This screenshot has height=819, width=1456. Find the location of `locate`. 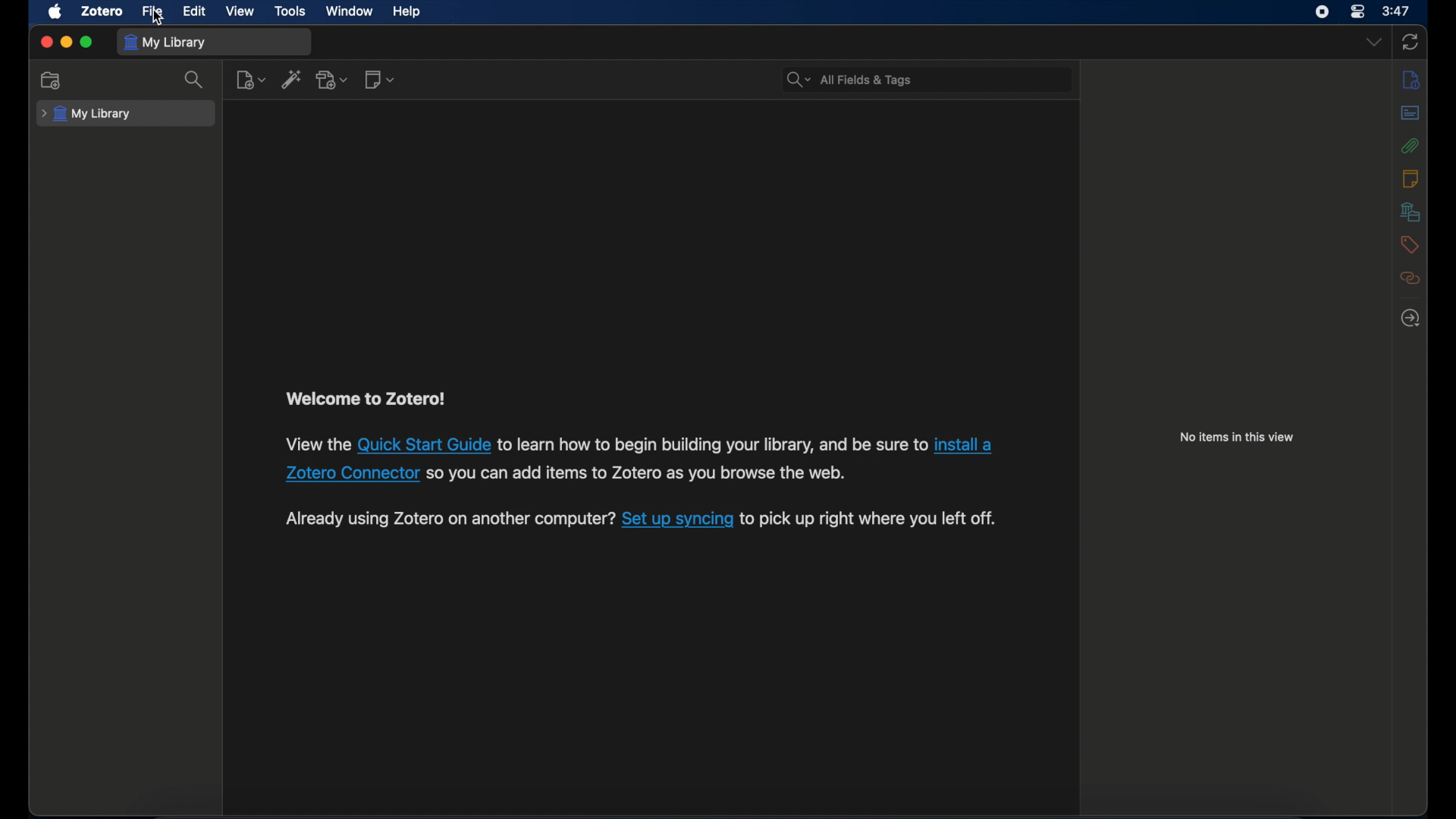

locate is located at coordinates (1411, 318).